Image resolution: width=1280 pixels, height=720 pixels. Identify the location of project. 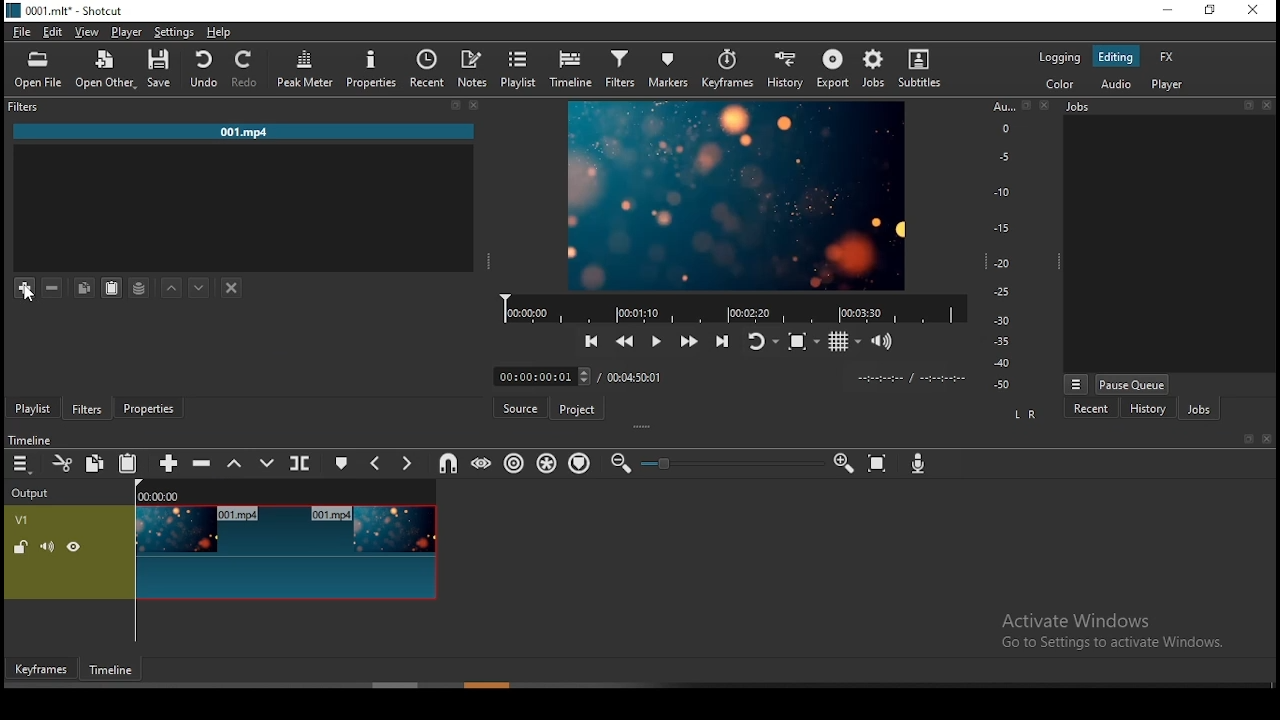
(578, 410).